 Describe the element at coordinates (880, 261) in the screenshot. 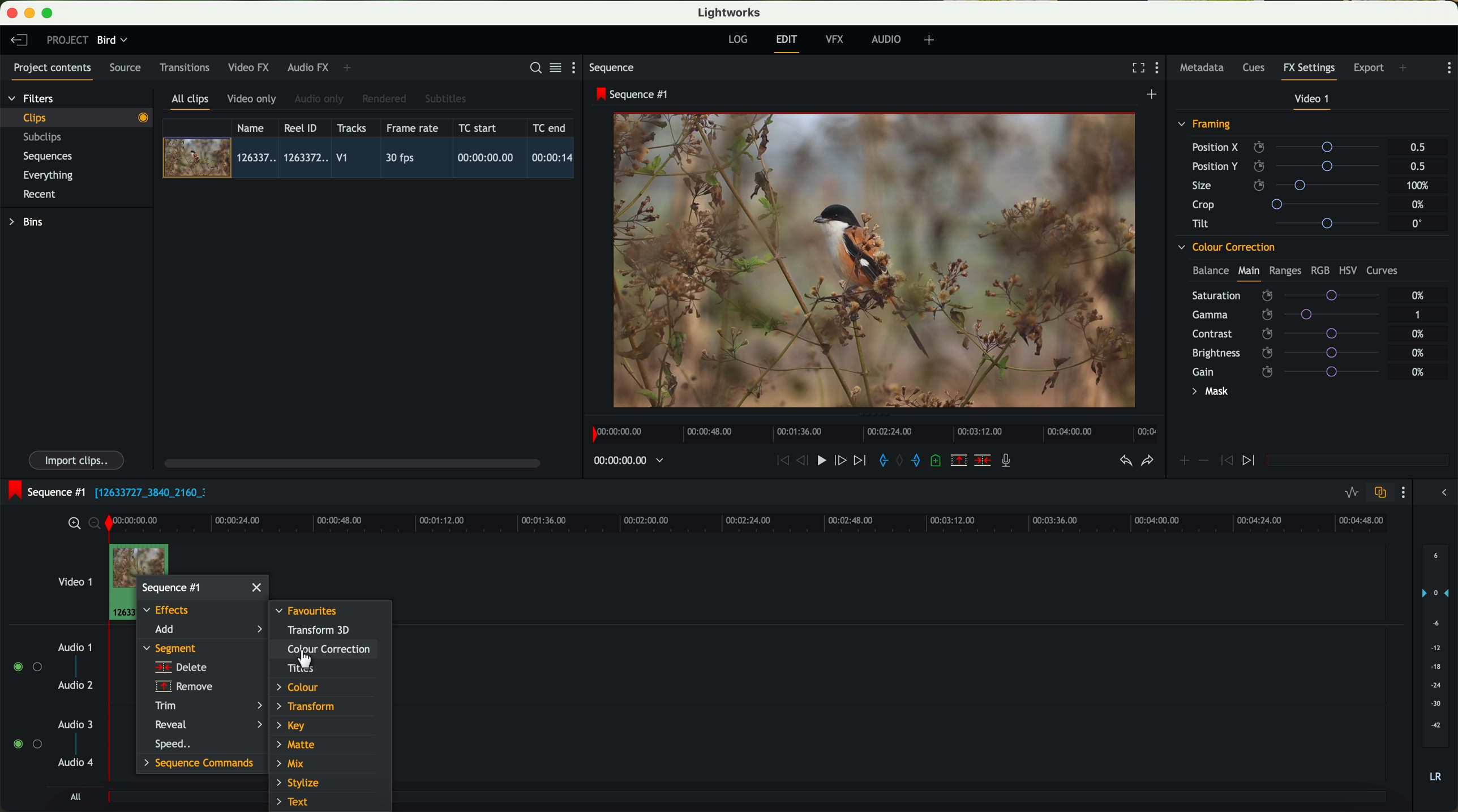

I see `video preview` at that location.